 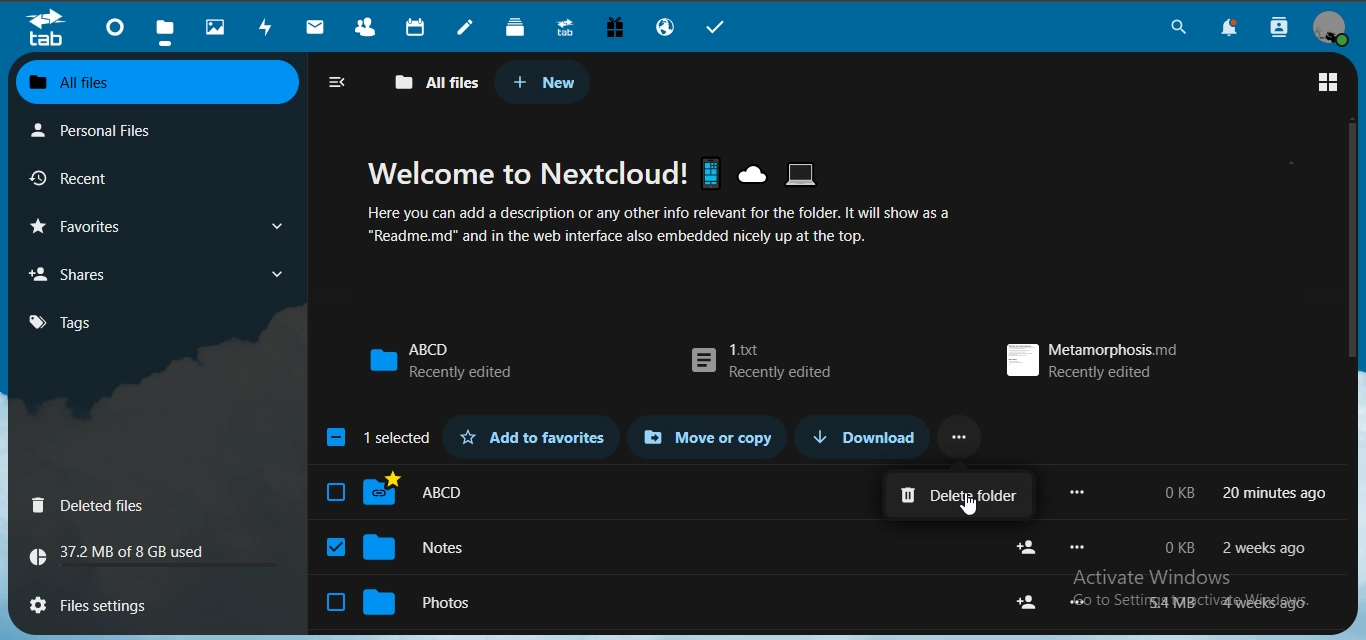 What do you see at coordinates (1272, 602) in the screenshot?
I see `4 weeks ago` at bounding box center [1272, 602].